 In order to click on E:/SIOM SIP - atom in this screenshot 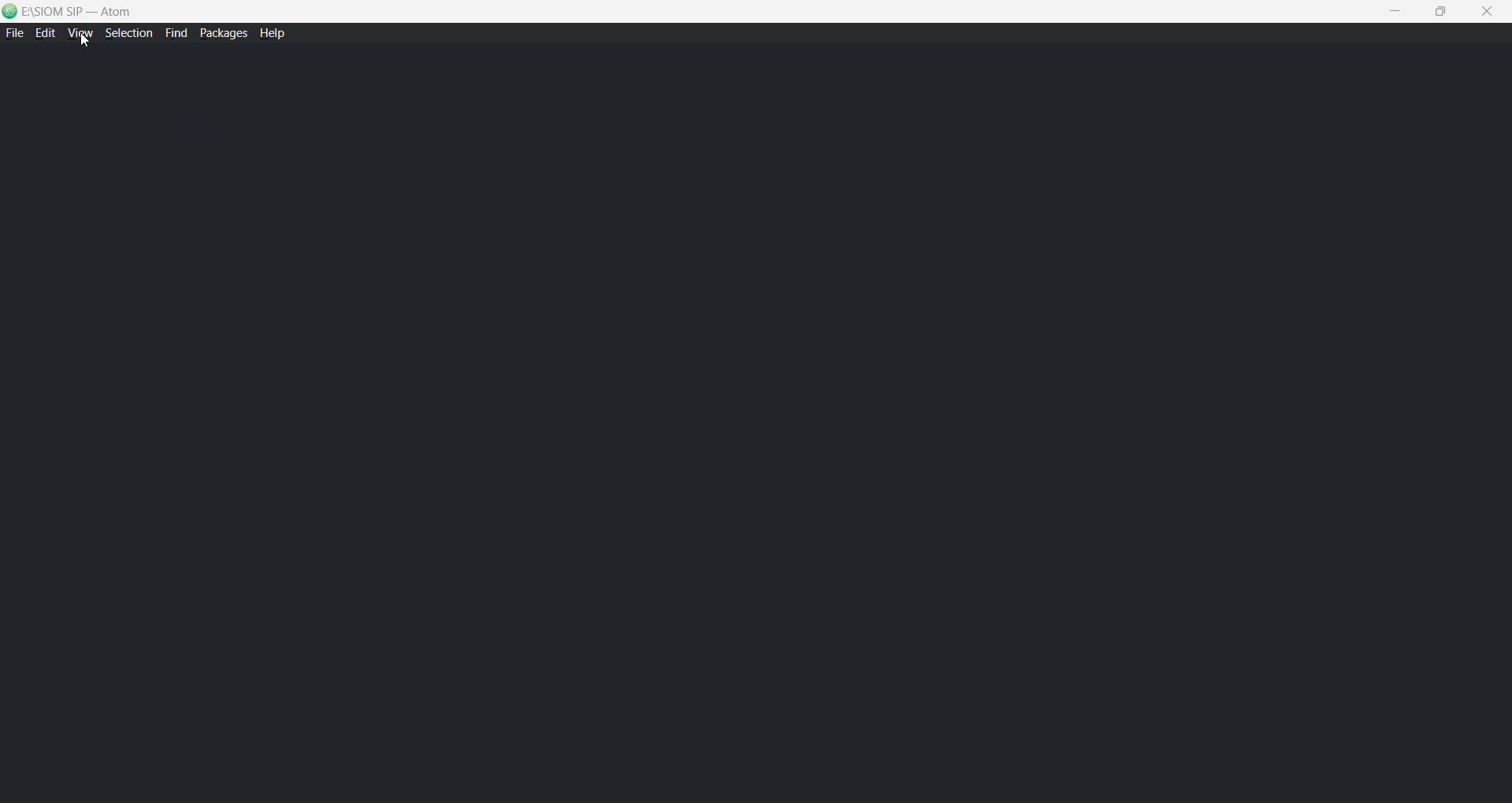, I will do `click(80, 13)`.